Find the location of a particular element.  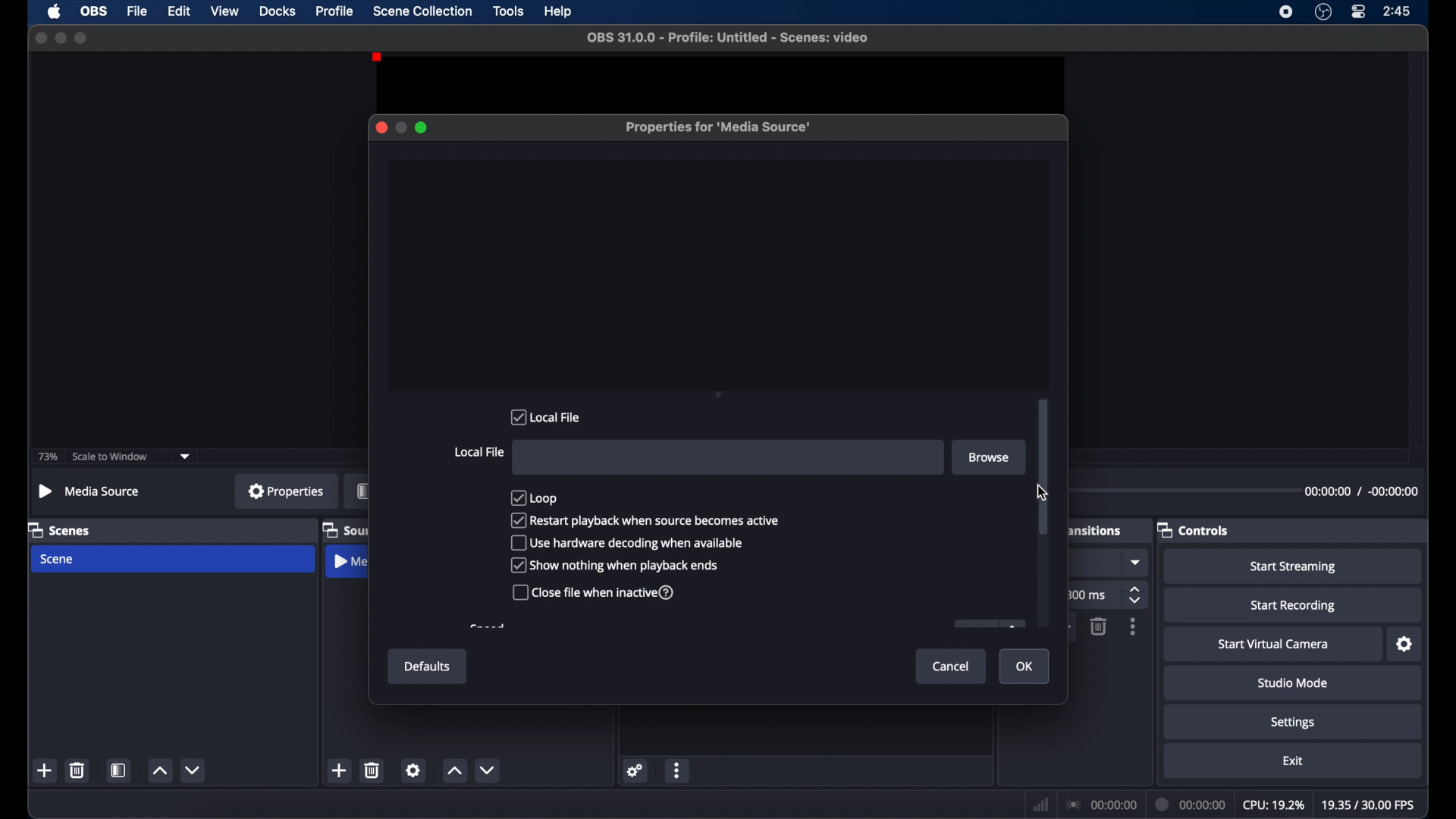

File input is located at coordinates (729, 457).